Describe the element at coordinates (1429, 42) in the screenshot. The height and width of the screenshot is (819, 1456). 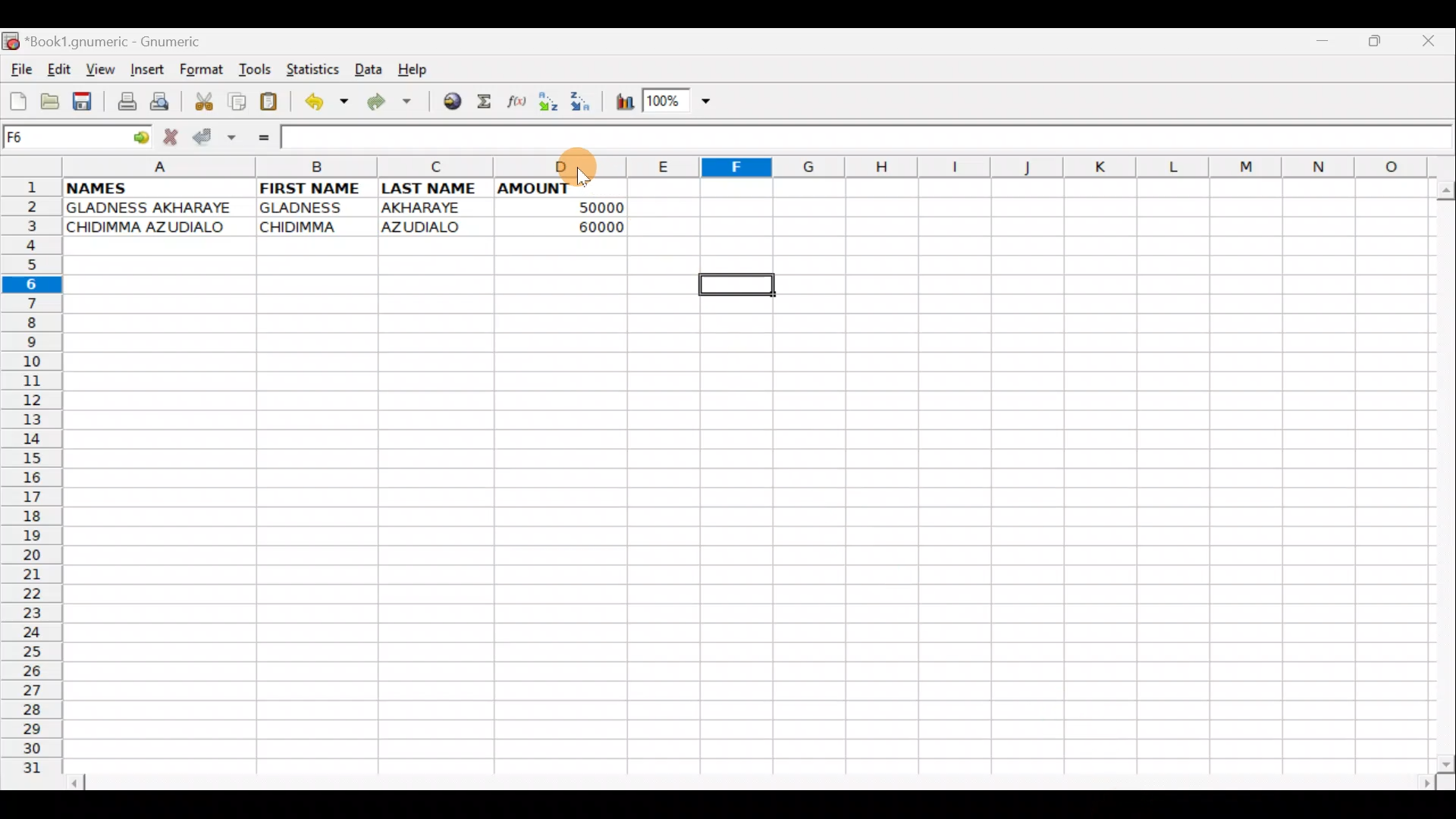
I see `Close` at that location.